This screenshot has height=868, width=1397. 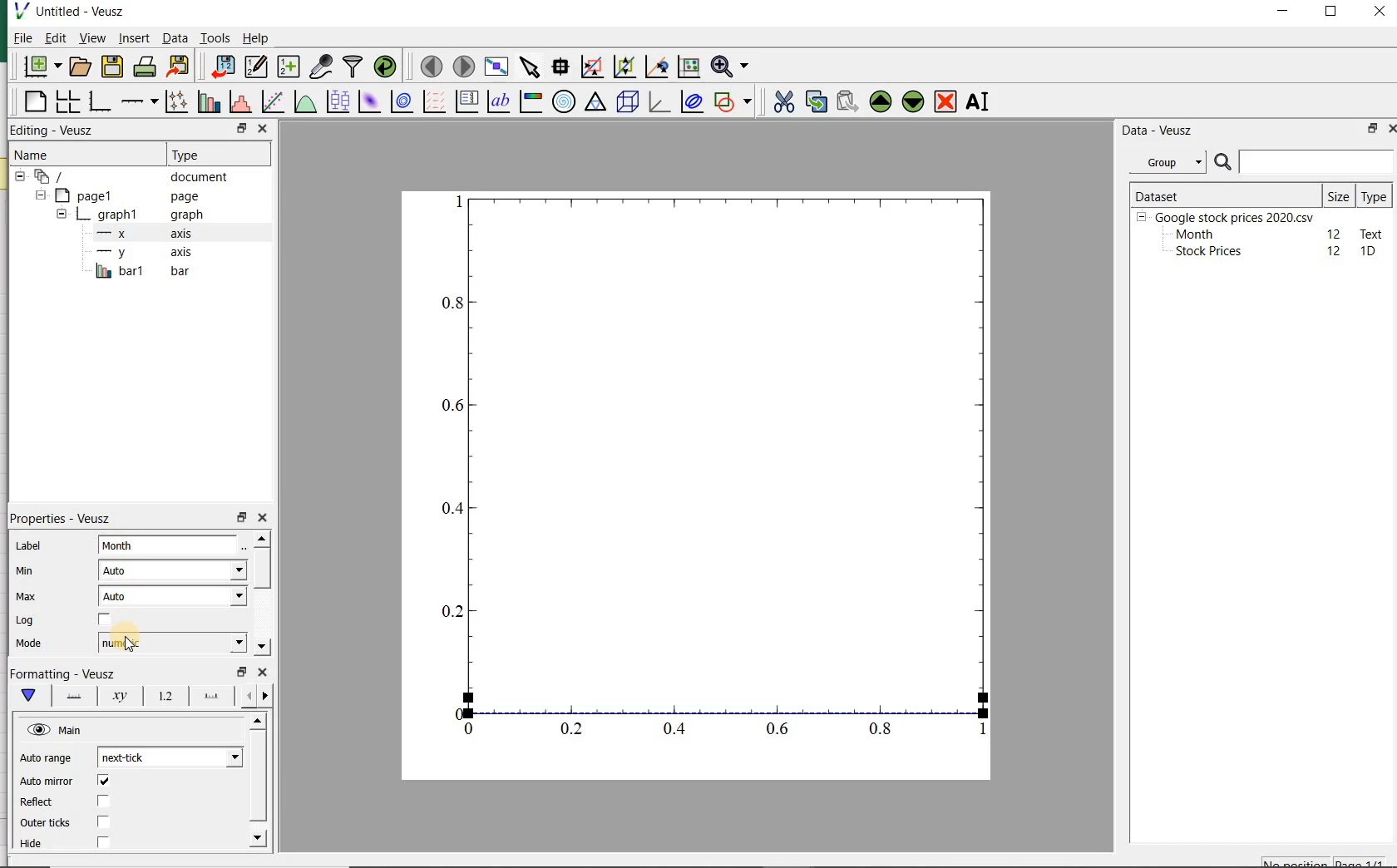 I want to click on Stock prices, so click(x=1201, y=252).